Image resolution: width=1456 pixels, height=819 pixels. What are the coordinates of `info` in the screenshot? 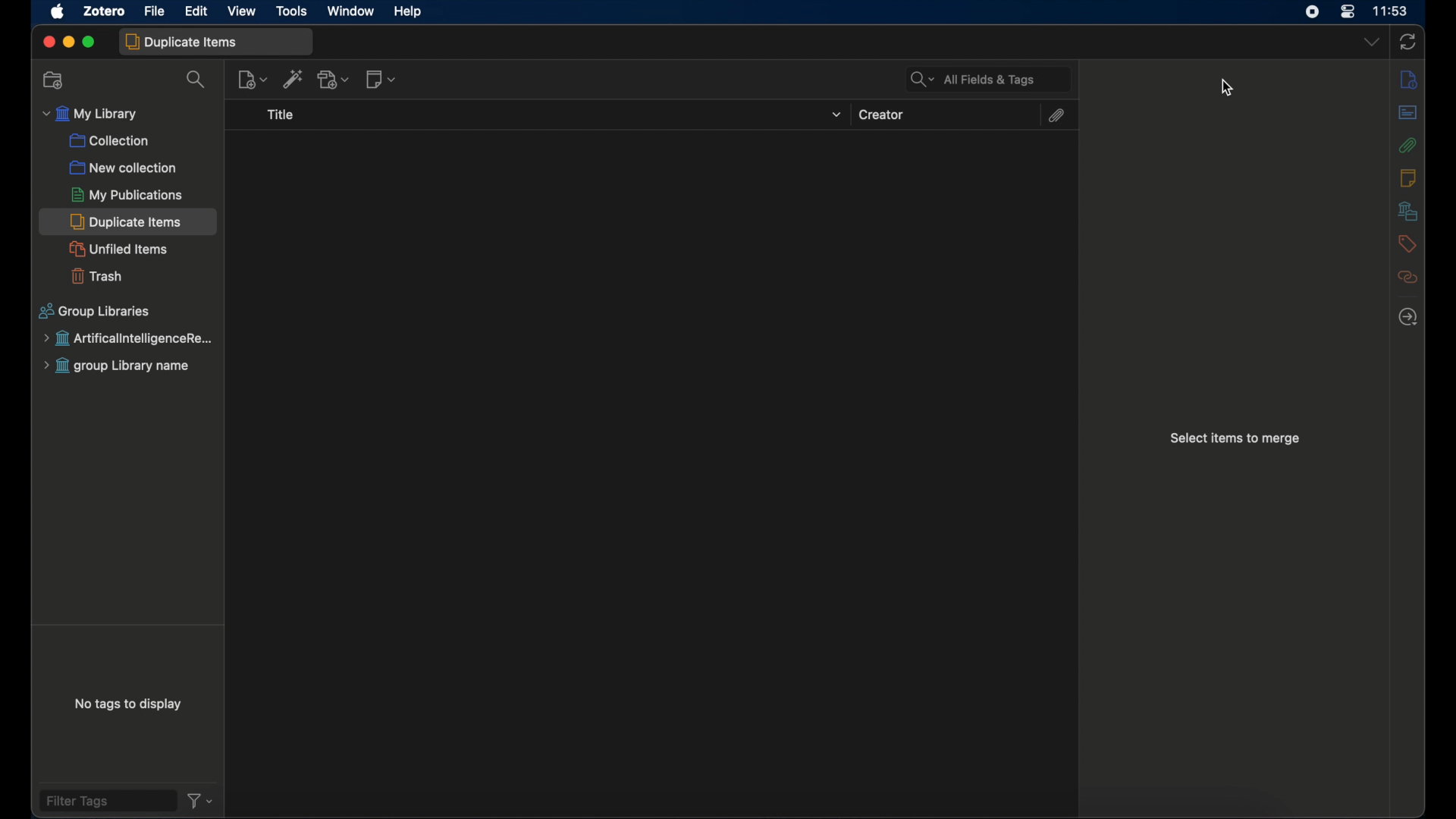 It's located at (1410, 80).